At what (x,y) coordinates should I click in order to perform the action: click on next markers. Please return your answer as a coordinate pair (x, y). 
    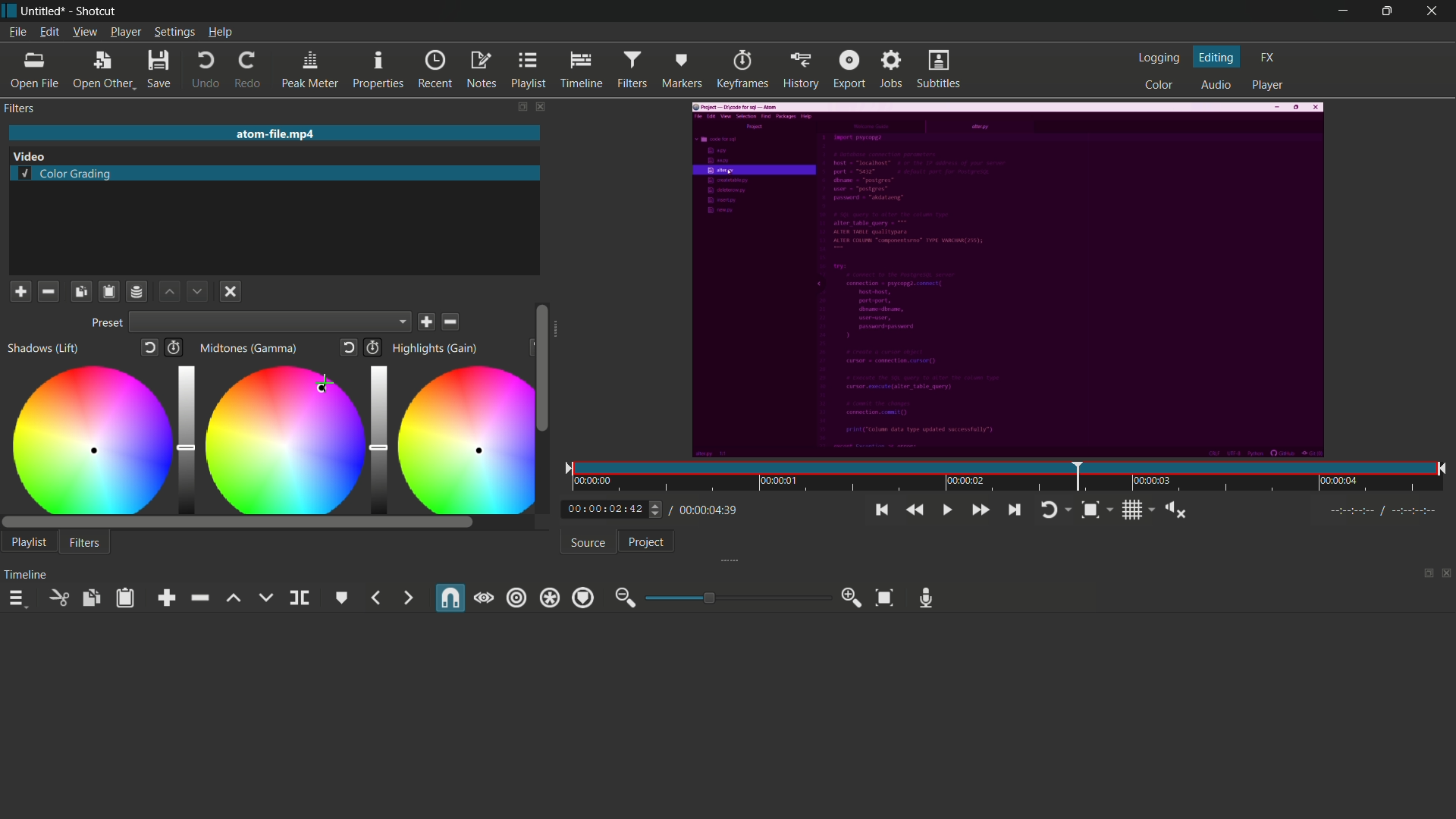
    Looking at the image, I should click on (406, 598).